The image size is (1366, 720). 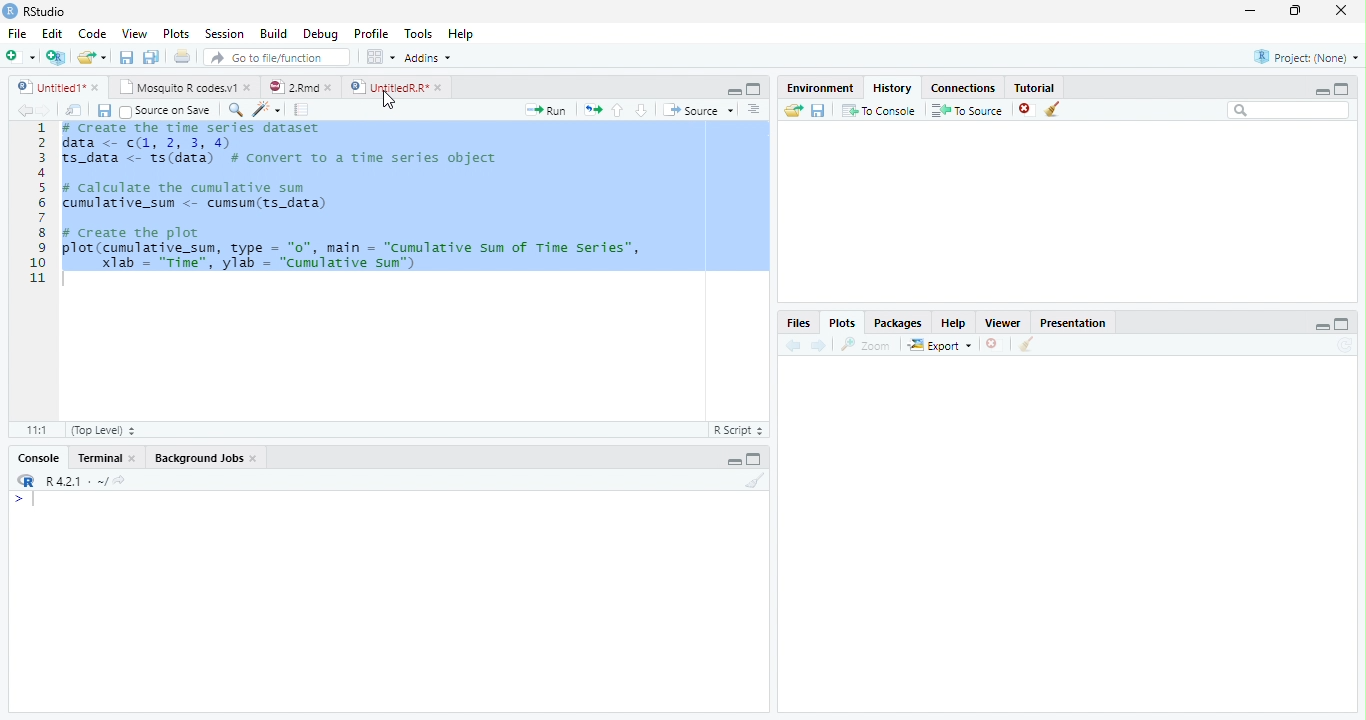 What do you see at coordinates (150, 58) in the screenshot?
I see `Save all` at bounding box center [150, 58].